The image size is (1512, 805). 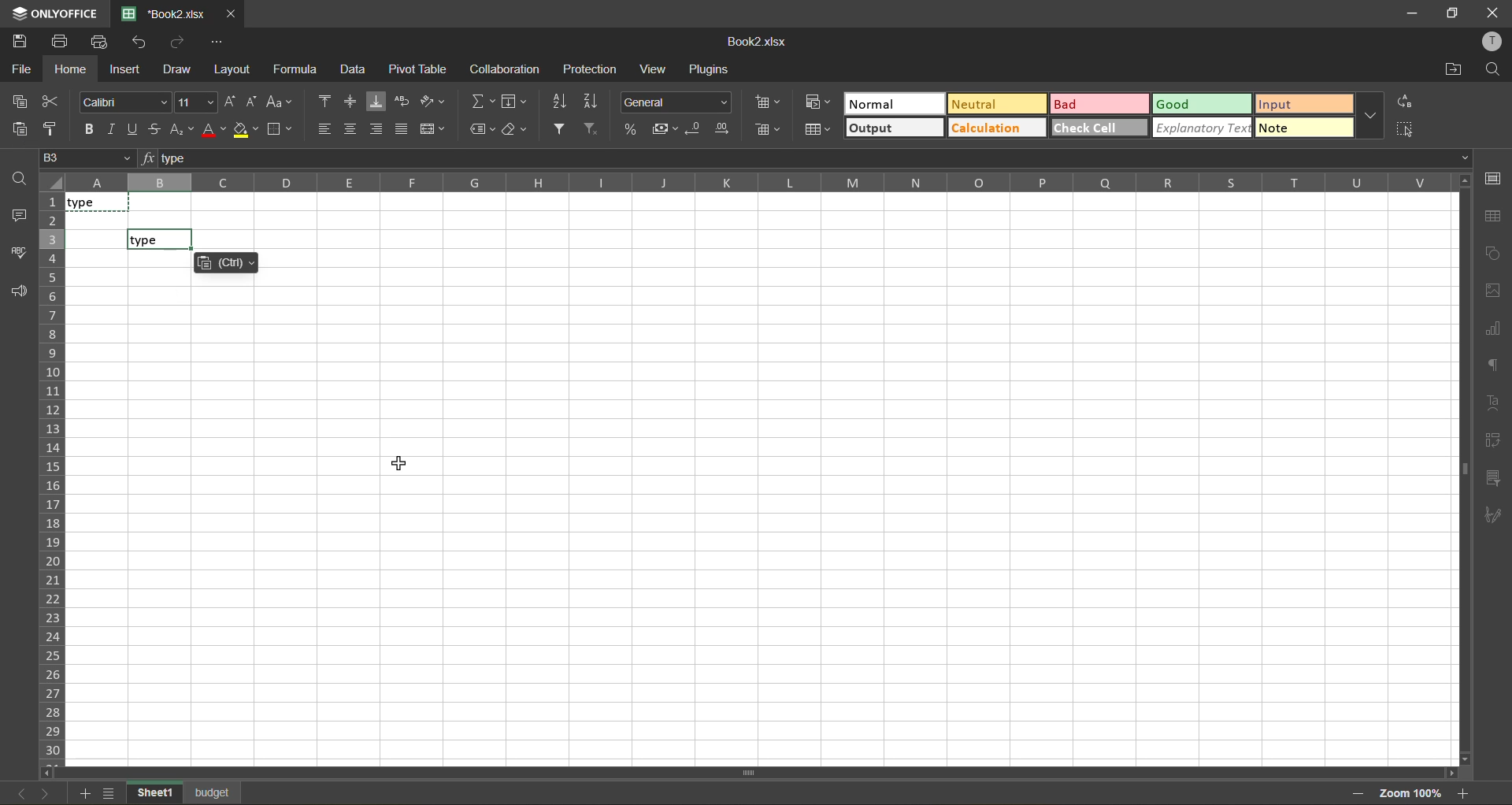 I want to click on zoom in, so click(x=1466, y=793).